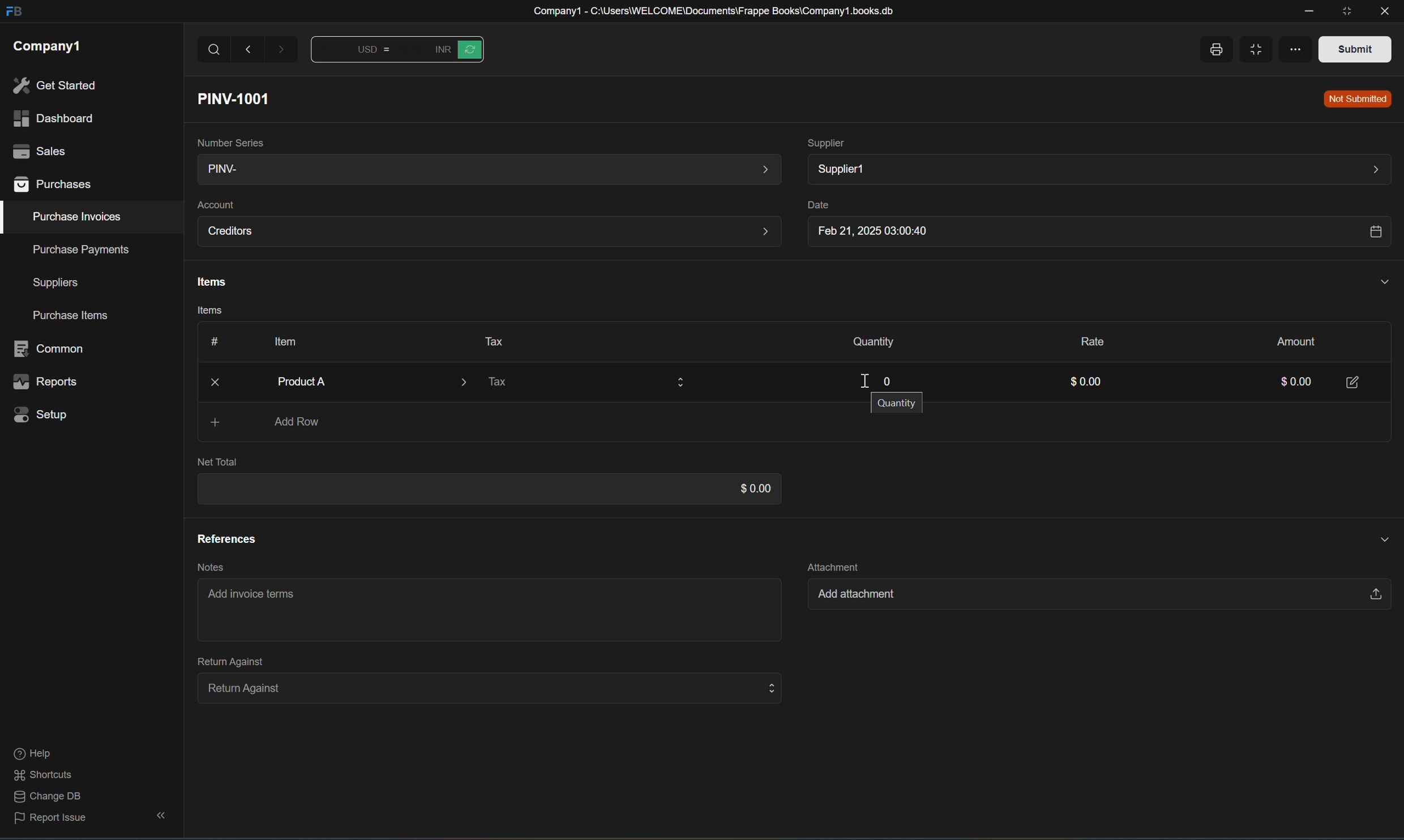  Describe the element at coordinates (207, 567) in the screenshot. I see `Notes` at that location.